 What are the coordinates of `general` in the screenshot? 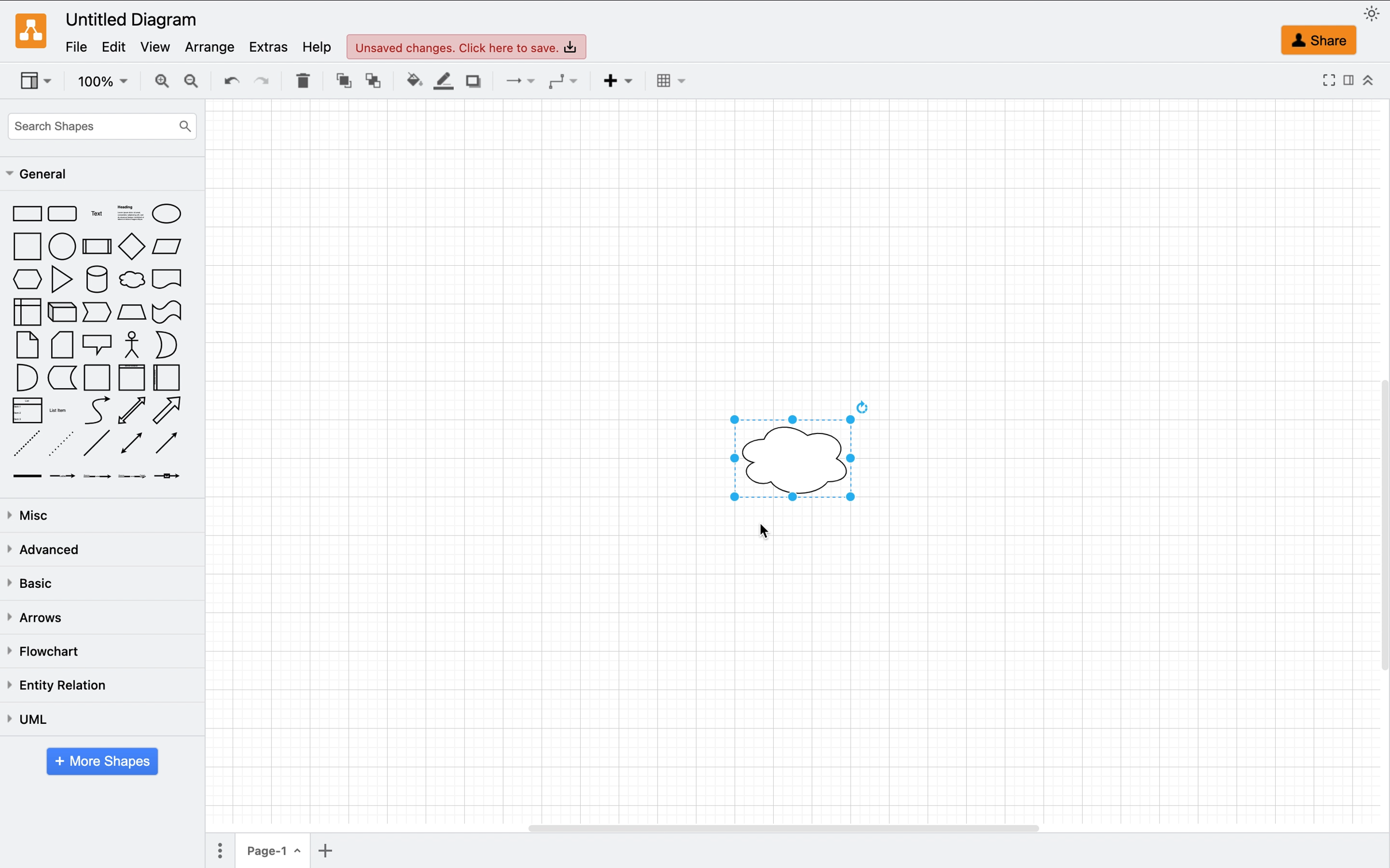 It's located at (37, 175).